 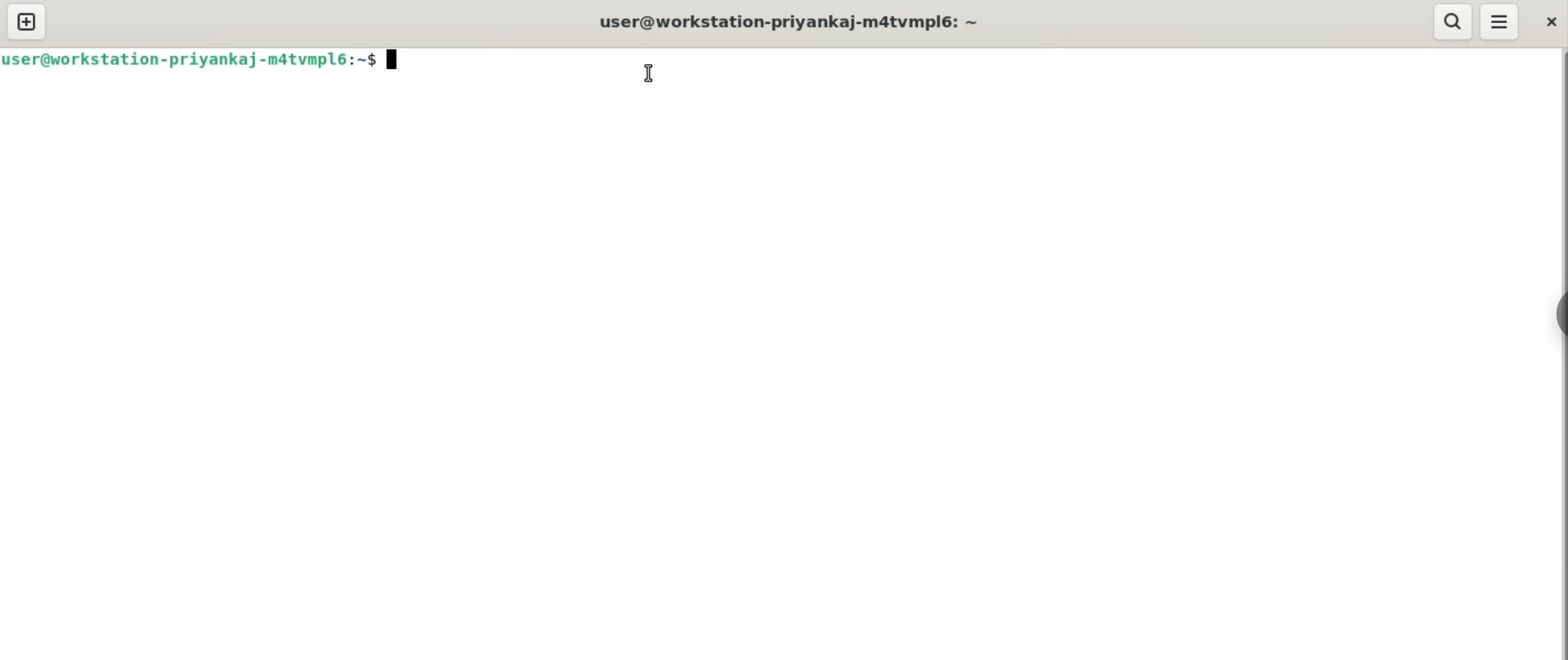 What do you see at coordinates (1558, 315) in the screenshot?
I see `sidebar` at bounding box center [1558, 315].